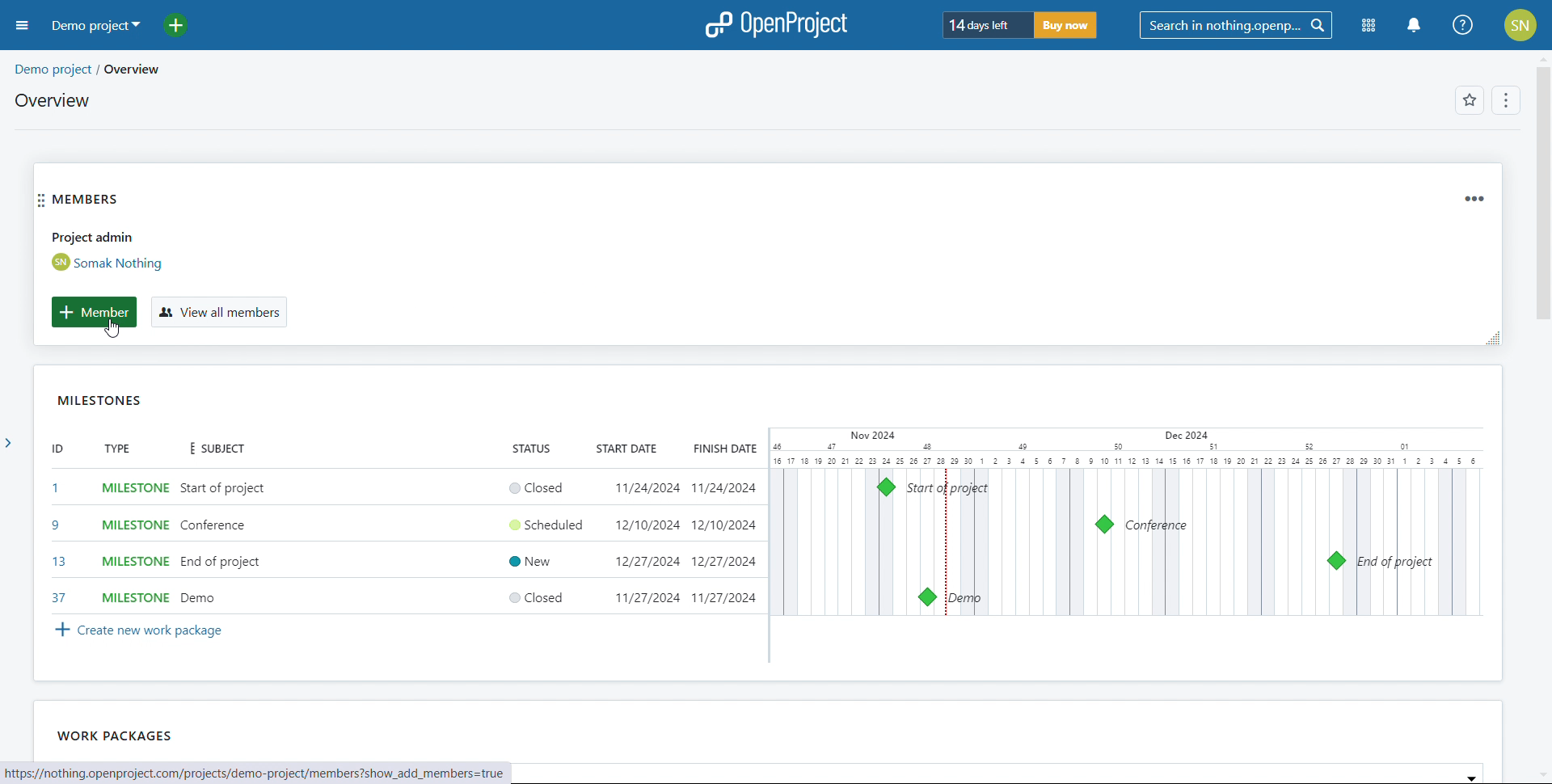  I want to click on module, so click(1368, 26).